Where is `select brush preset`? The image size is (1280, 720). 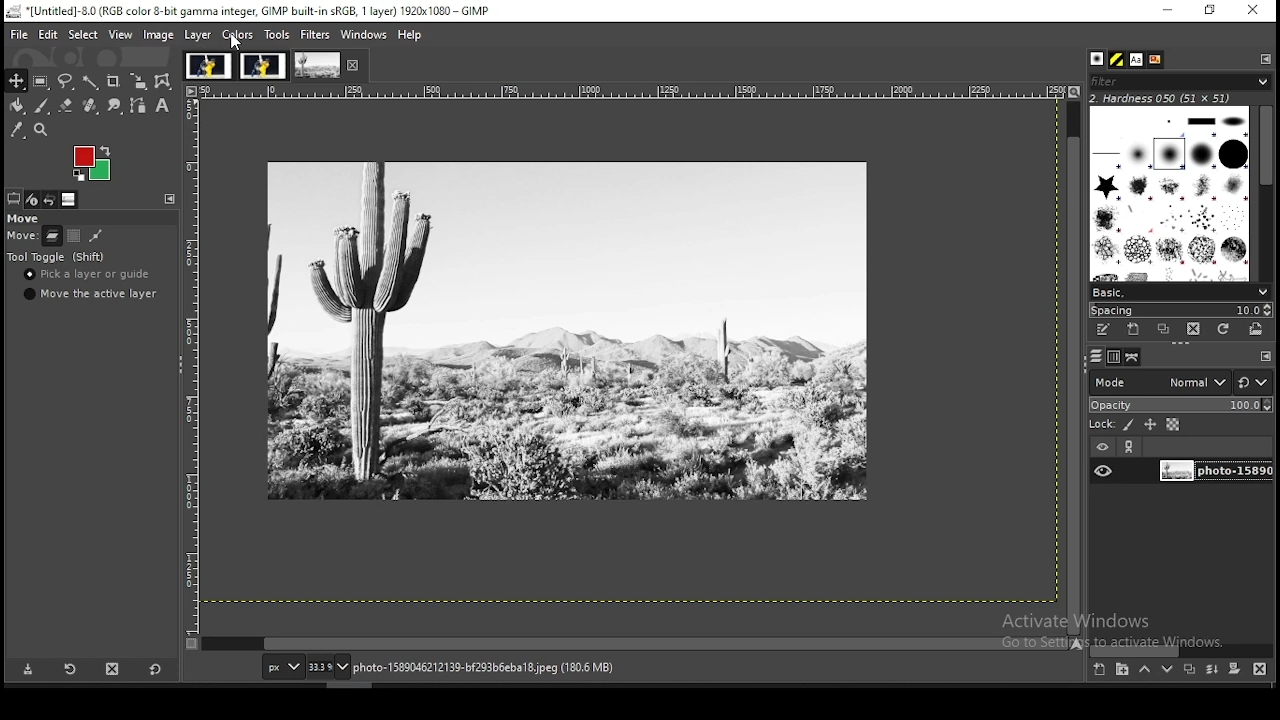
select brush preset is located at coordinates (1178, 291).